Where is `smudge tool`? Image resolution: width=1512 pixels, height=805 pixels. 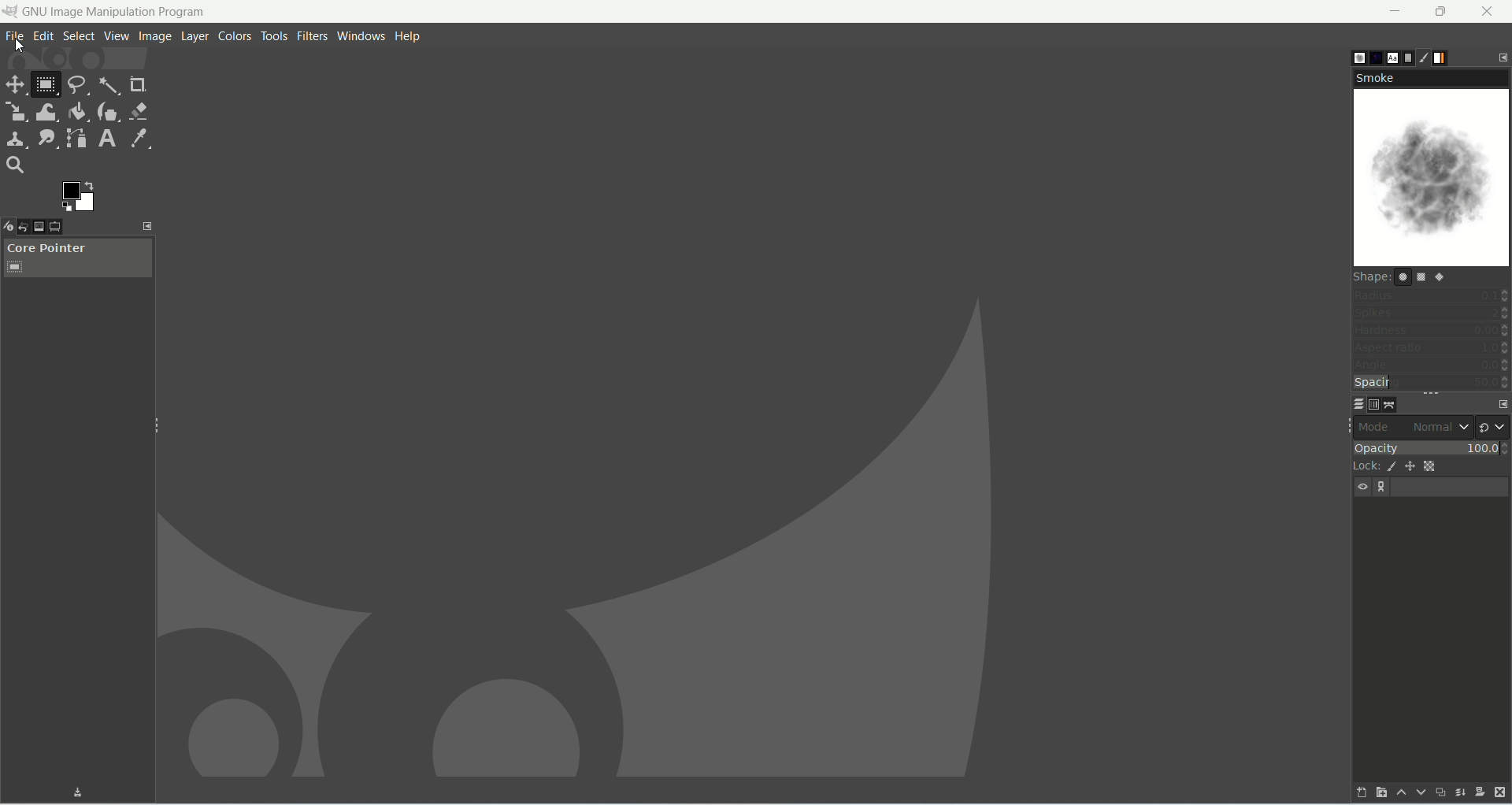 smudge tool is located at coordinates (46, 139).